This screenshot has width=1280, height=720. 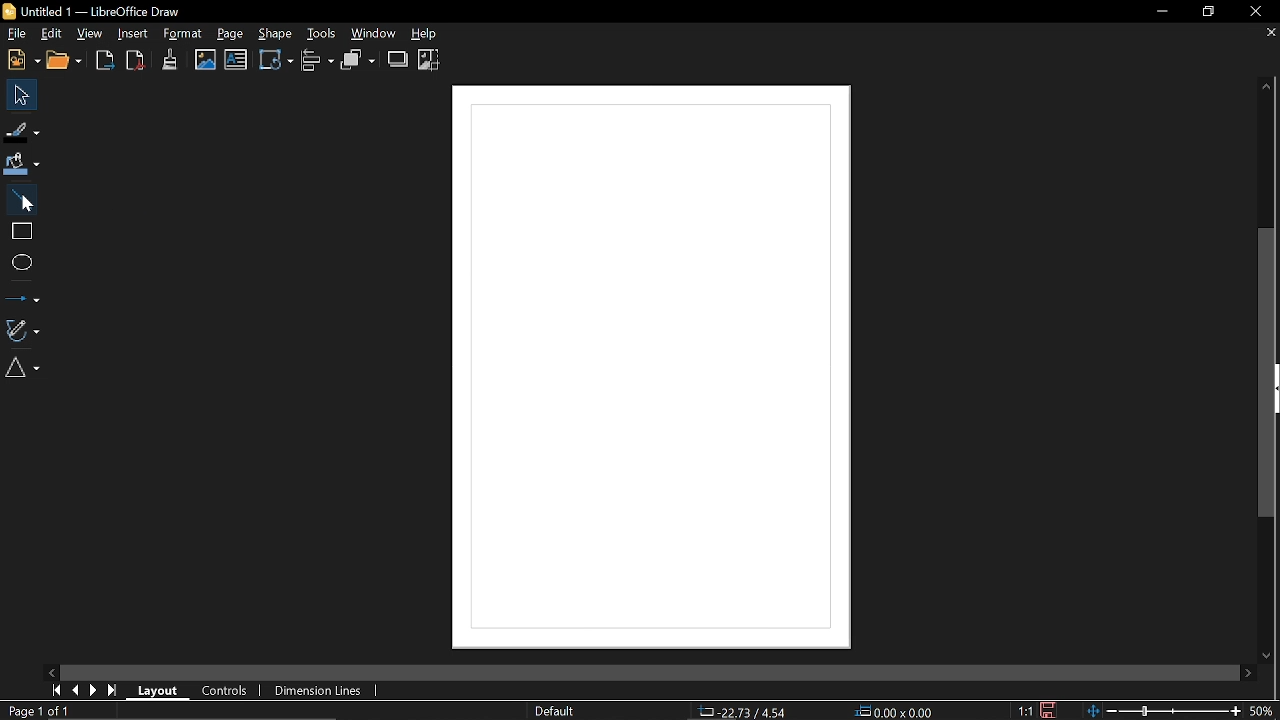 What do you see at coordinates (26, 370) in the screenshot?
I see `basic shapes` at bounding box center [26, 370].